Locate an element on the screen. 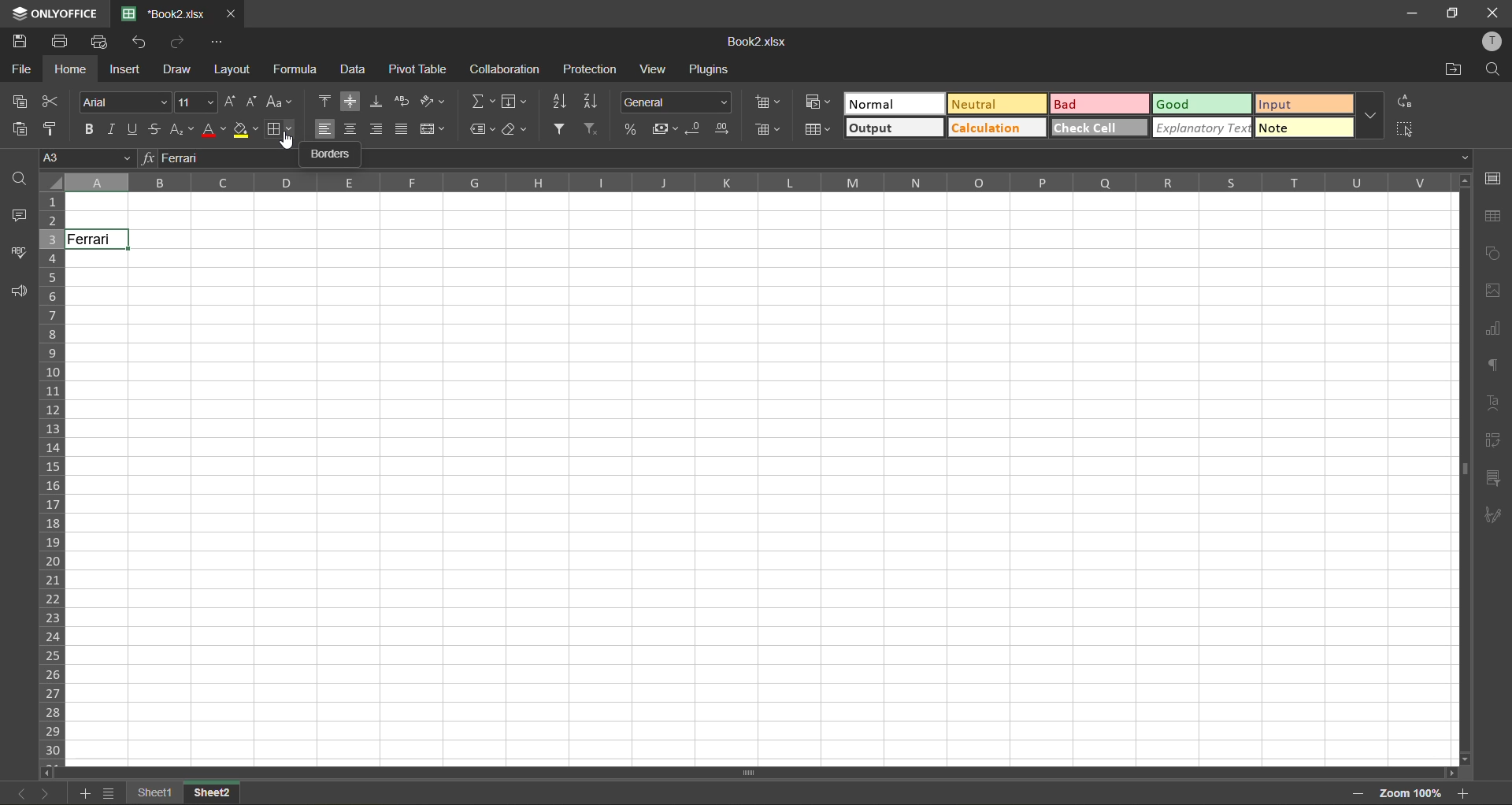 This screenshot has height=805, width=1512. cell settings is located at coordinates (1491, 180).